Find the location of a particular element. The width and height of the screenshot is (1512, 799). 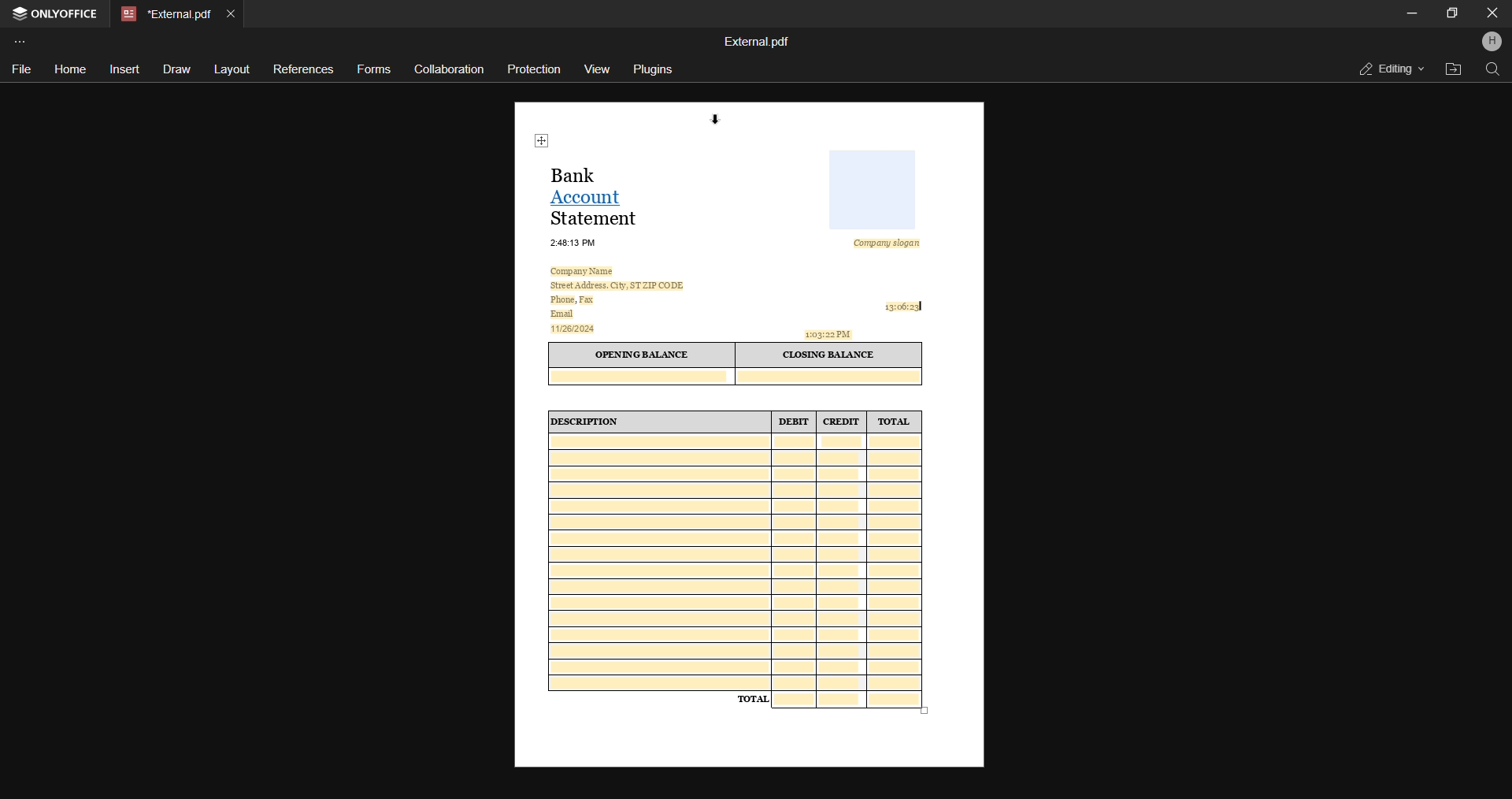

External.pdf(file name) is located at coordinates (758, 42).